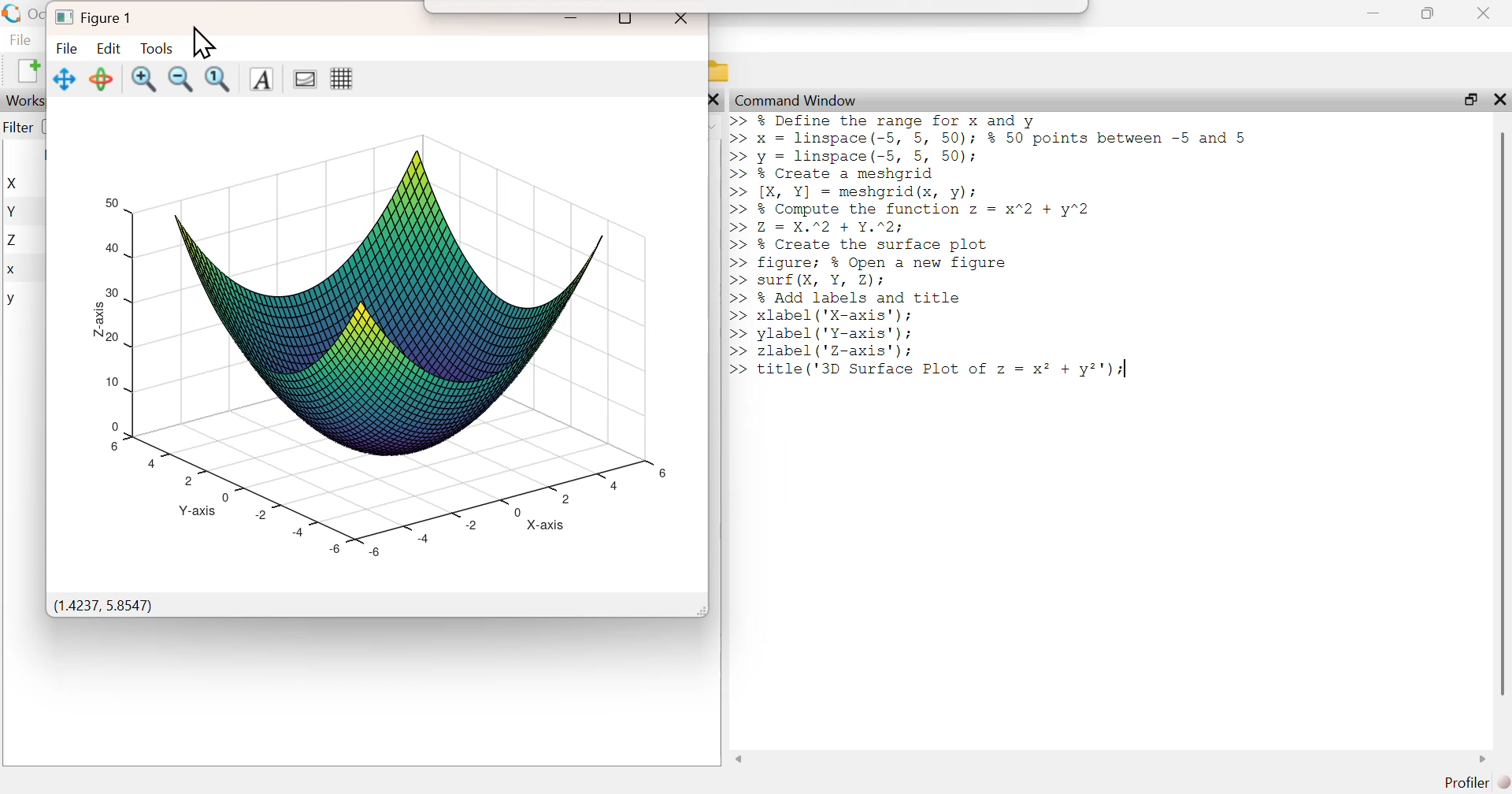 The image size is (1512, 794). I want to click on fit to screen, so click(219, 79).